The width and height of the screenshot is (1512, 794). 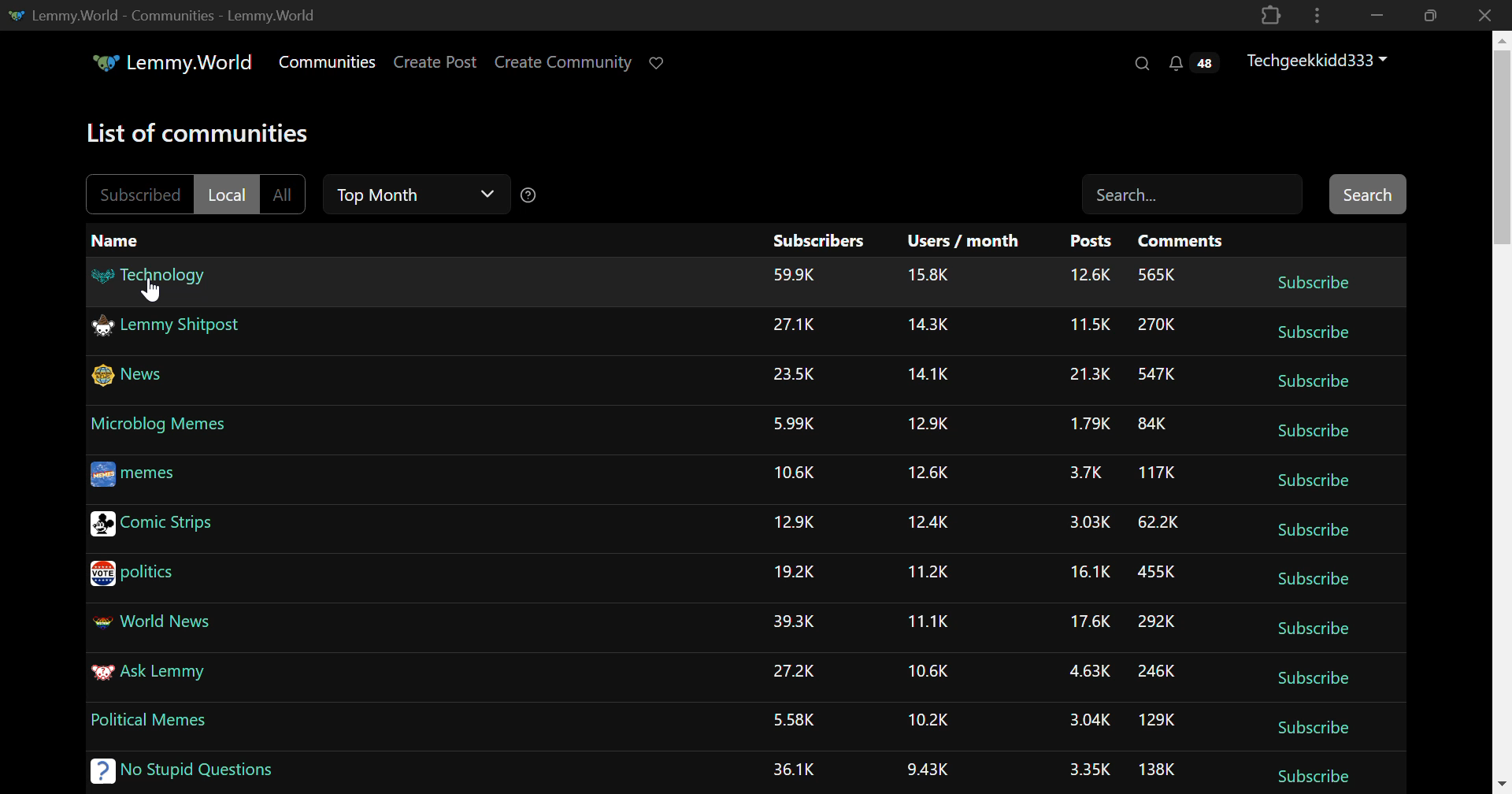 I want to click on 270K, so click(x=1157, y=323).